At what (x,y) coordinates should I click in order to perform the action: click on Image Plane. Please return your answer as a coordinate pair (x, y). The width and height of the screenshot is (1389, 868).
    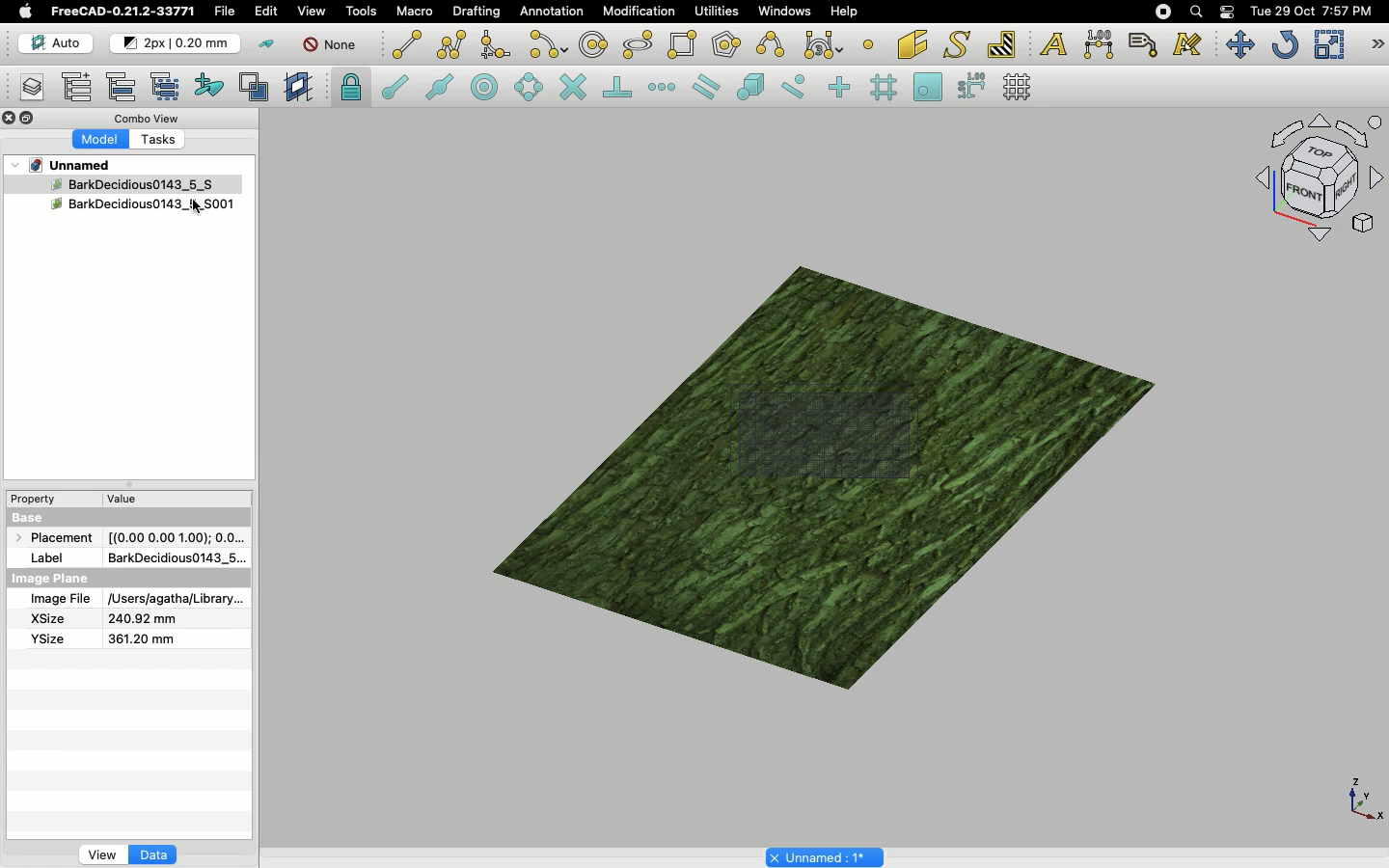
    Looking at the image, I should click on (52, 579).